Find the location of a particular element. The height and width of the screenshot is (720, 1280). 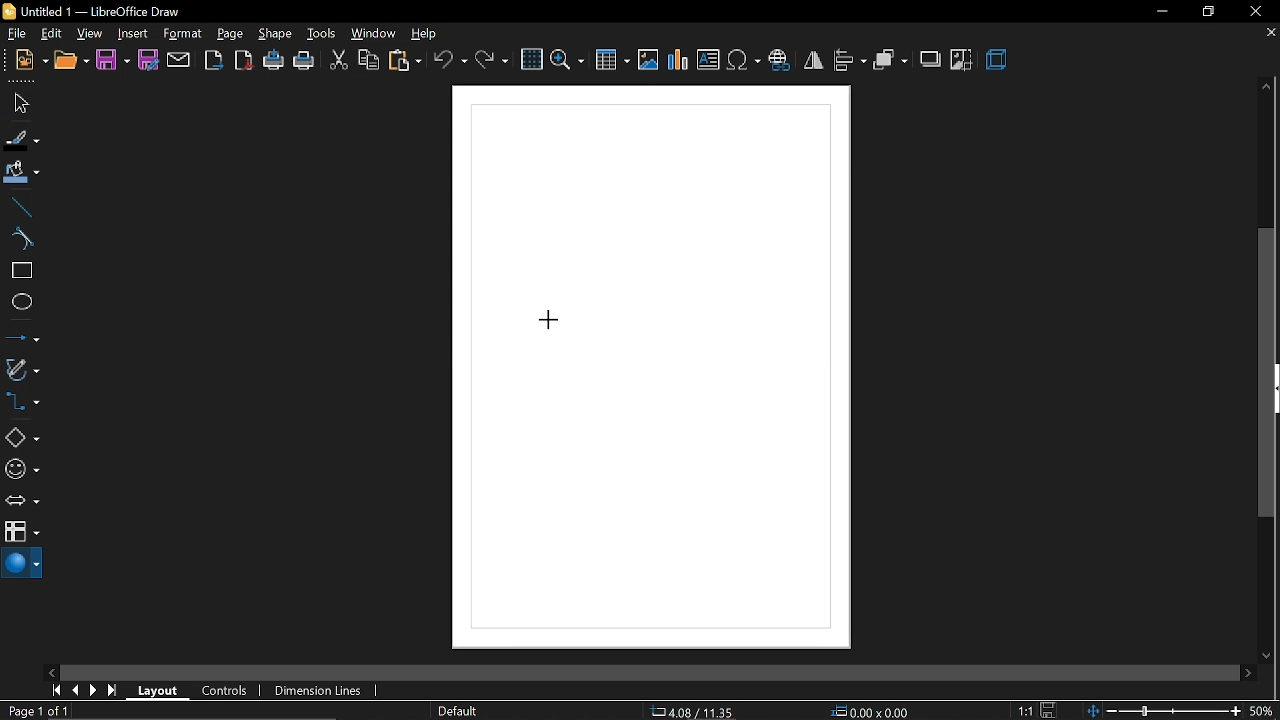

Canvas is located at coordinates (649, 369).